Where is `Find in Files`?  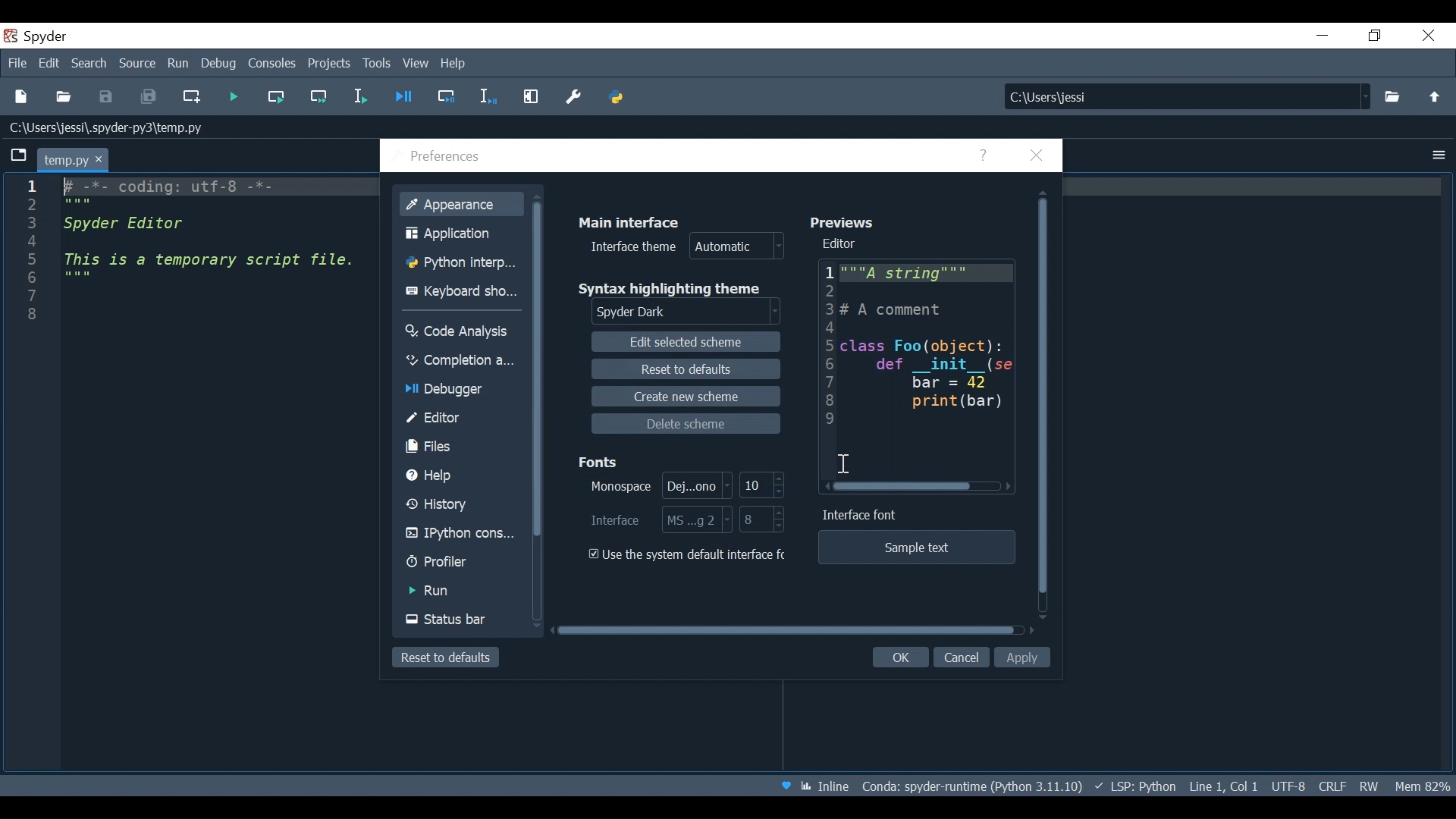
Find in Files is located at coordinates (1185, 96).